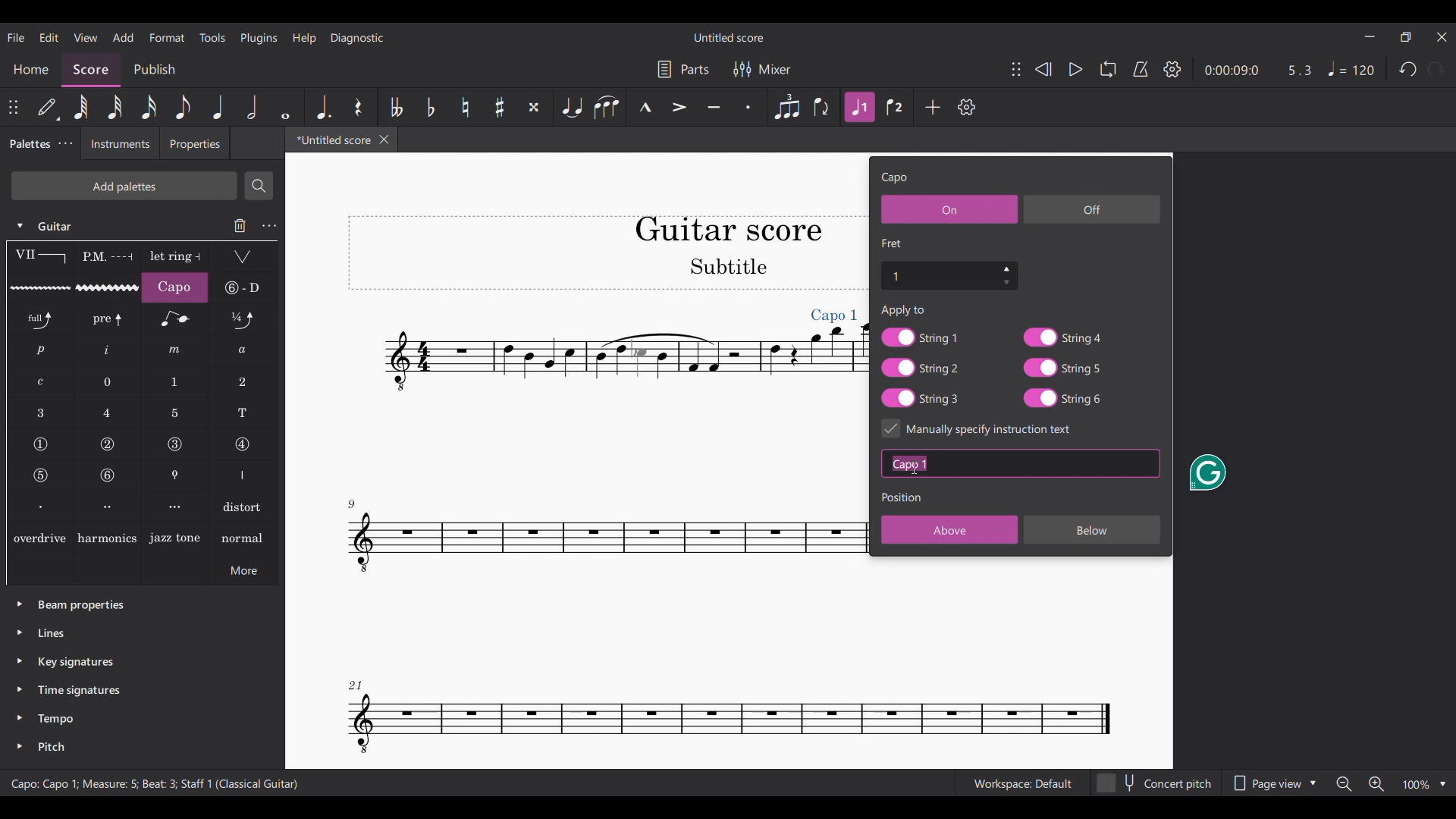  Describe the element at coordinates (174, 350) in the screenshot. I see `RH guitar fingering m` at that location.